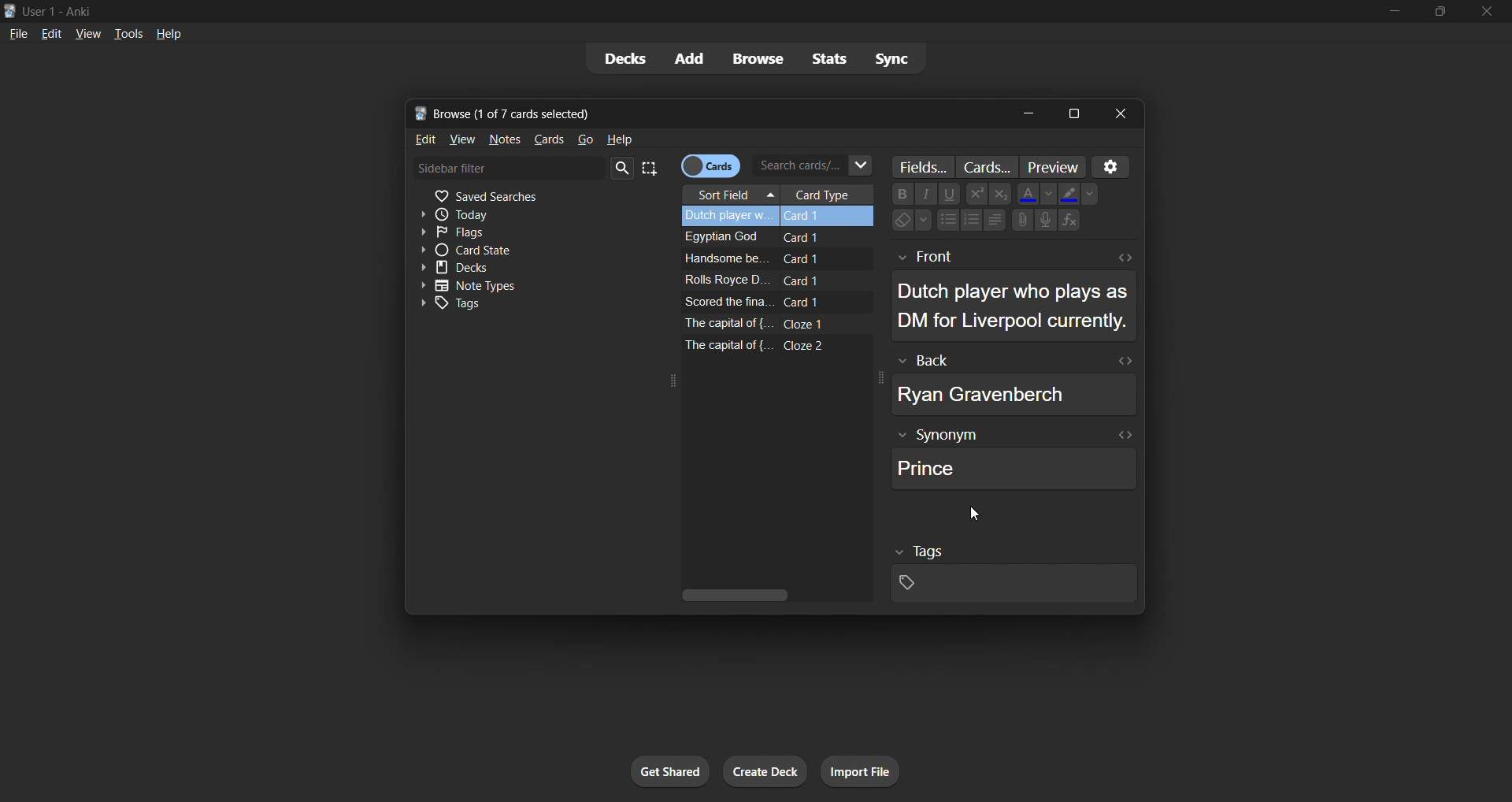 Image resolution: width=1512 pixels, height=802 pixels. Describe the element at coordinates (757, 60) in the screenshot. I see `browse` at that location.